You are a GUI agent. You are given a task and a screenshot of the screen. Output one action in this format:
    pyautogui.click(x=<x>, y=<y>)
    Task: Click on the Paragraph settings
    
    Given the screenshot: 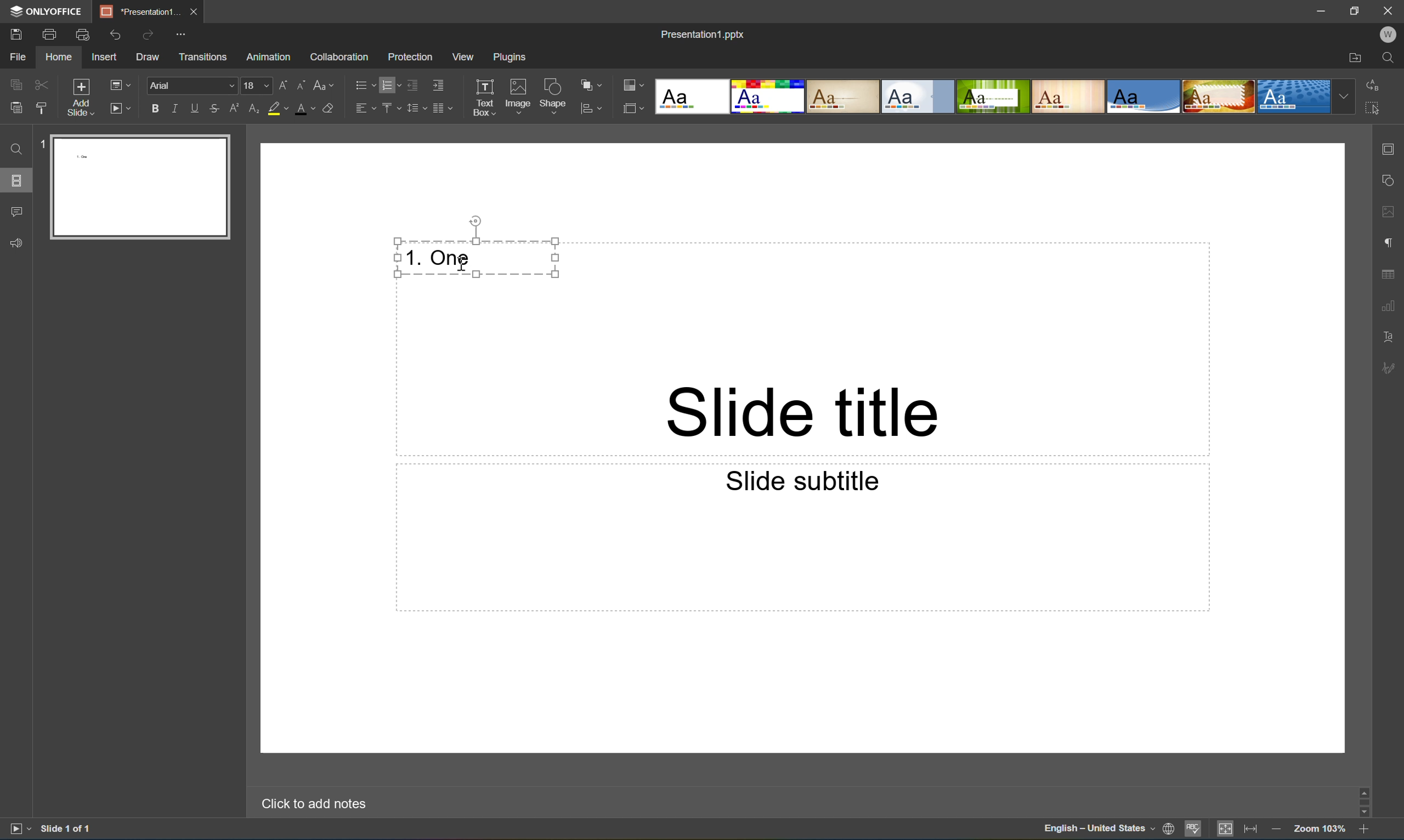 What is the action you would take?
    pyautogui.click(x=1393, y=240)
    